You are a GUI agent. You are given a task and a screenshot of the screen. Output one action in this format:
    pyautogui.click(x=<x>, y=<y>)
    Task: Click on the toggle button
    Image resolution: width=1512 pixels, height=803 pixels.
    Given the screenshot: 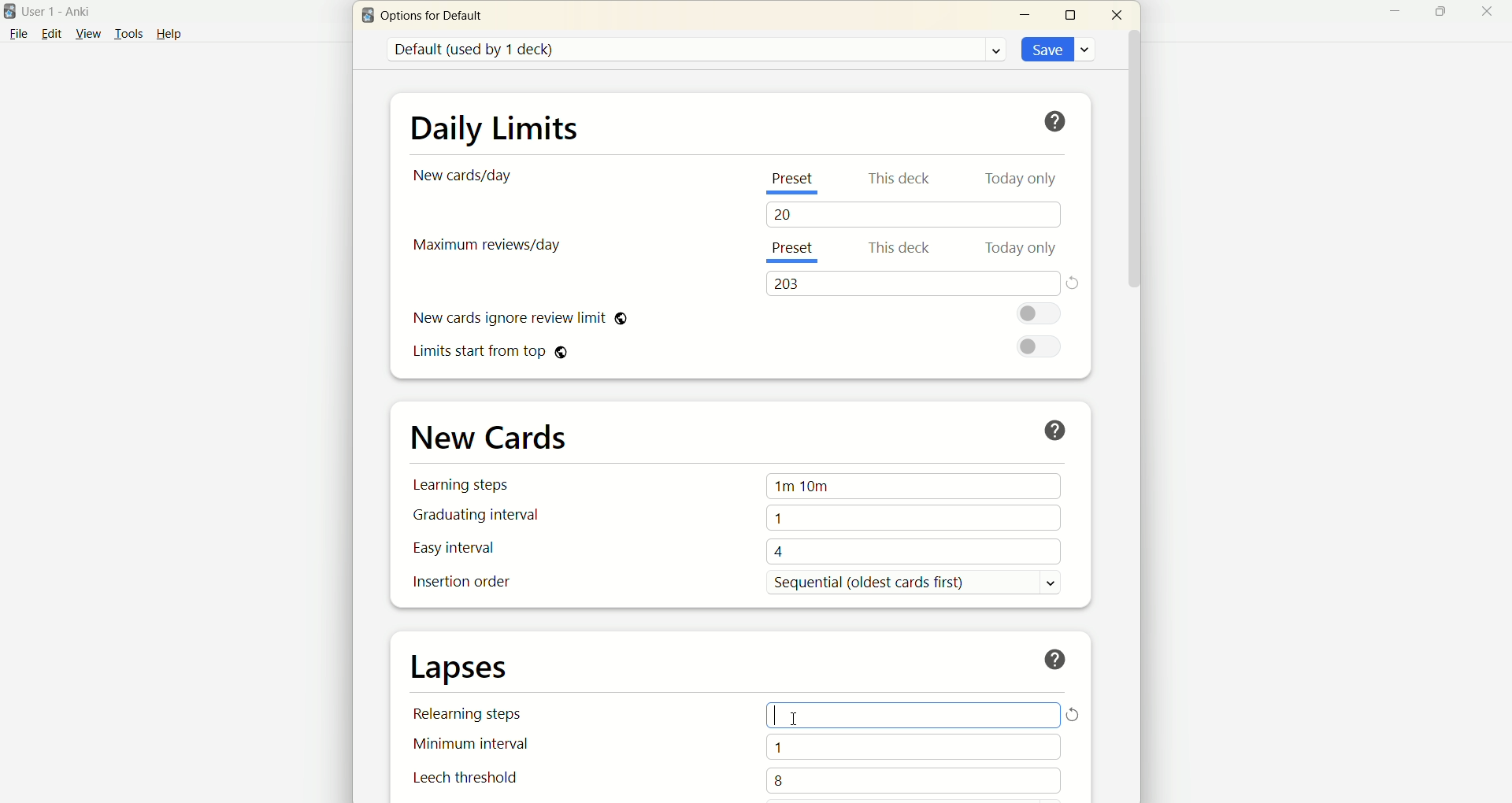 What is the action you would take?
    pyautogui.click(x=1042, y=315)
    